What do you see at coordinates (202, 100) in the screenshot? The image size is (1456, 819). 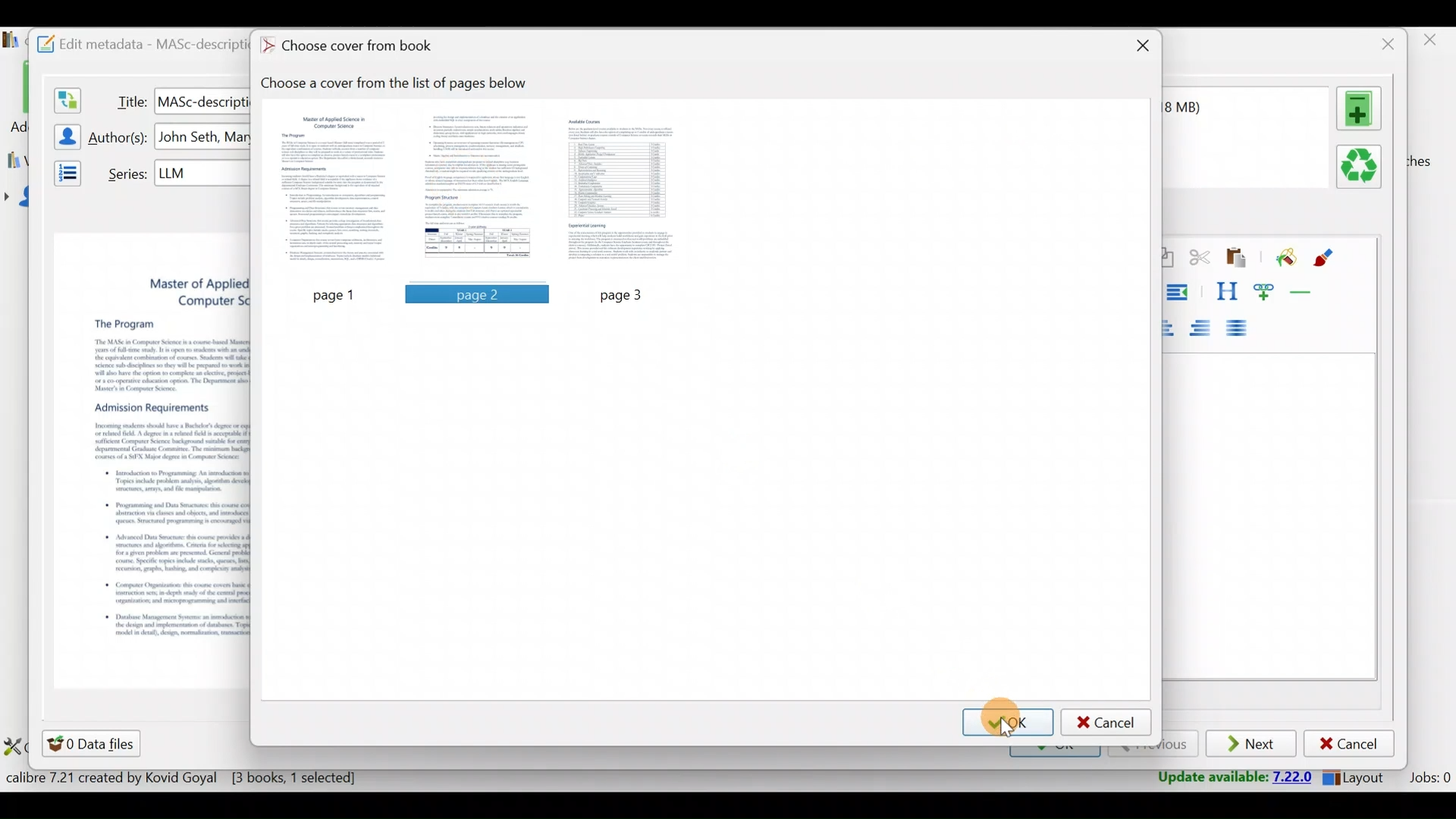 I see `` at bounding box center [202, 100].